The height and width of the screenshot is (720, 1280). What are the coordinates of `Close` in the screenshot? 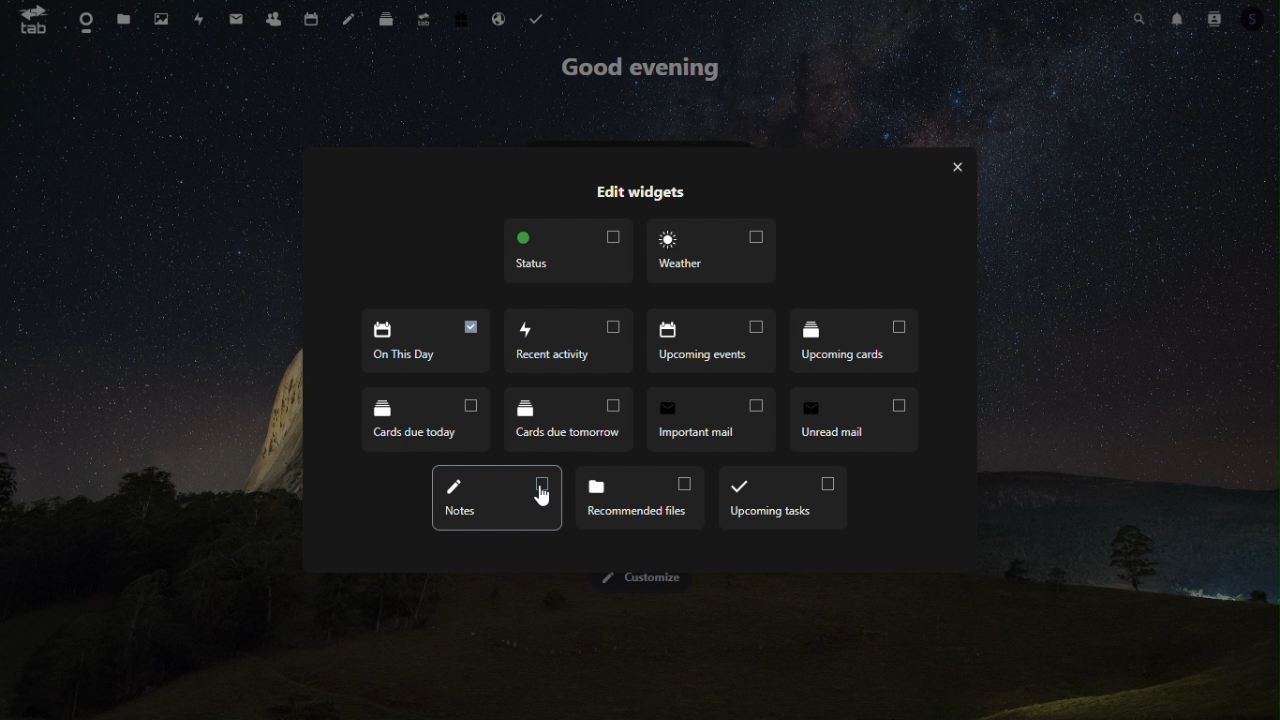 It's located at (959, 167).